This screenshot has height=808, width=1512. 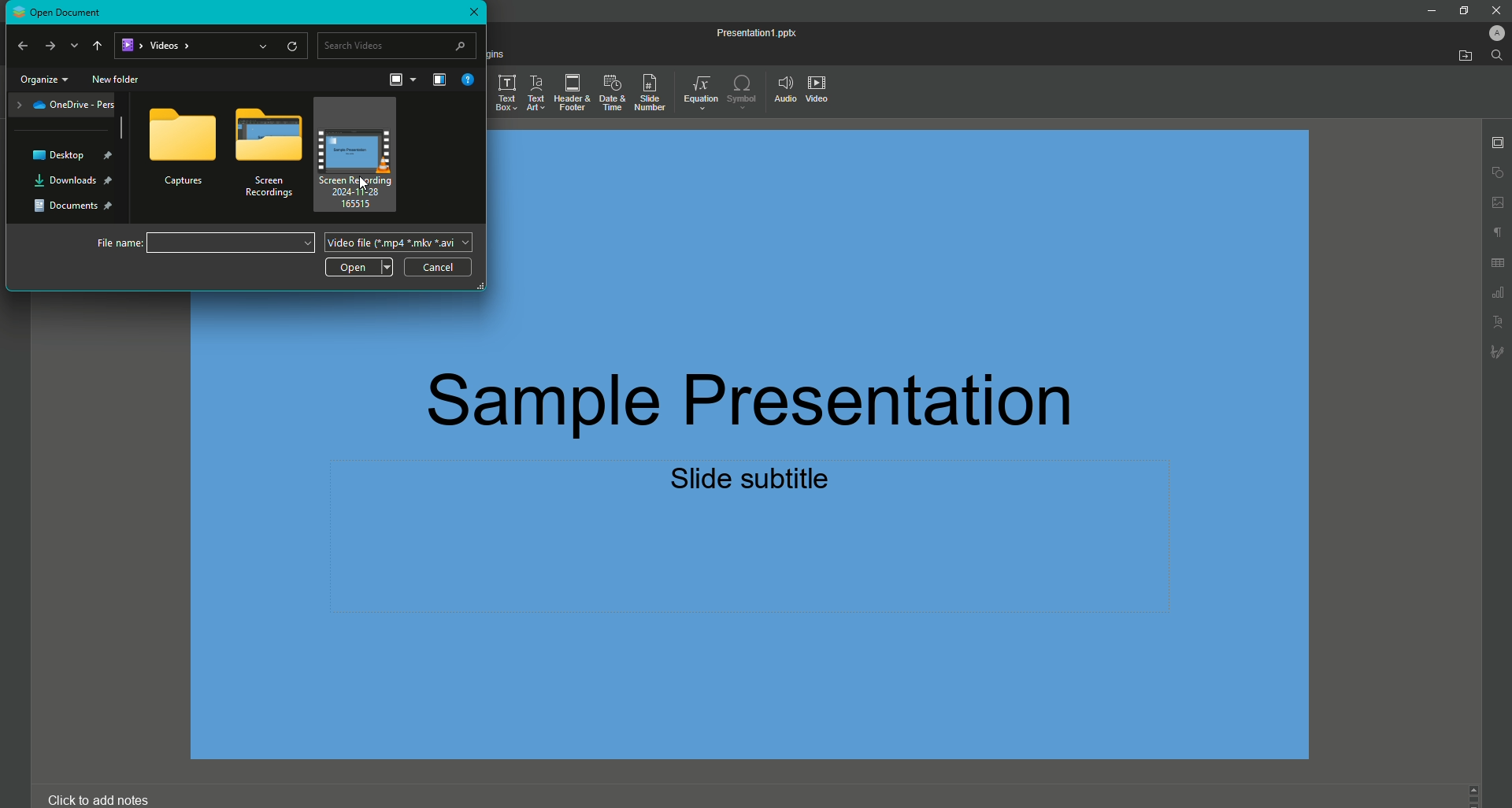 I want to click on New Folder, so click(x=121, y=80).